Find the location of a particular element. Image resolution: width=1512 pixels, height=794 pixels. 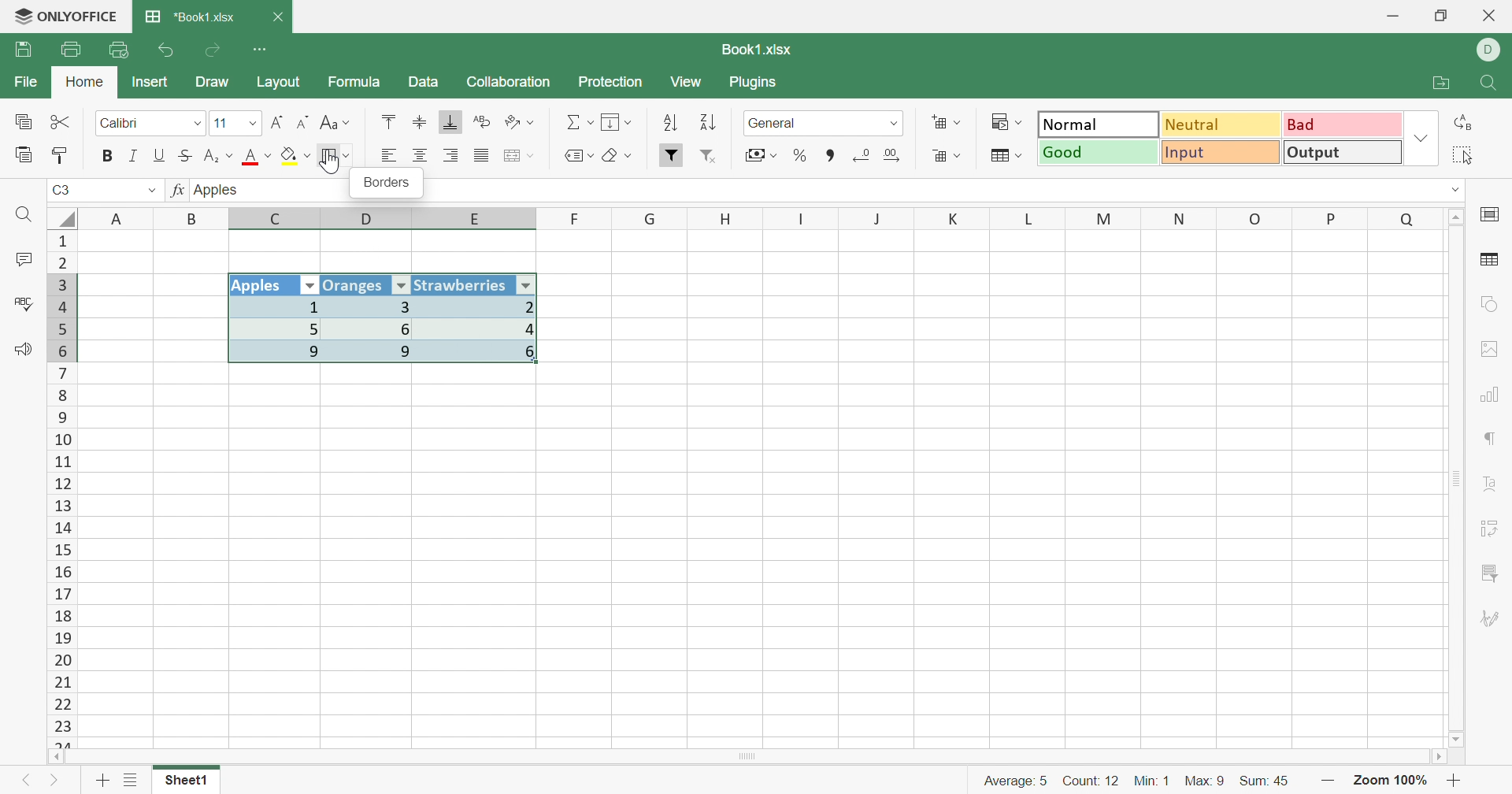

Wrap Text is located at coordinates (480, 123).